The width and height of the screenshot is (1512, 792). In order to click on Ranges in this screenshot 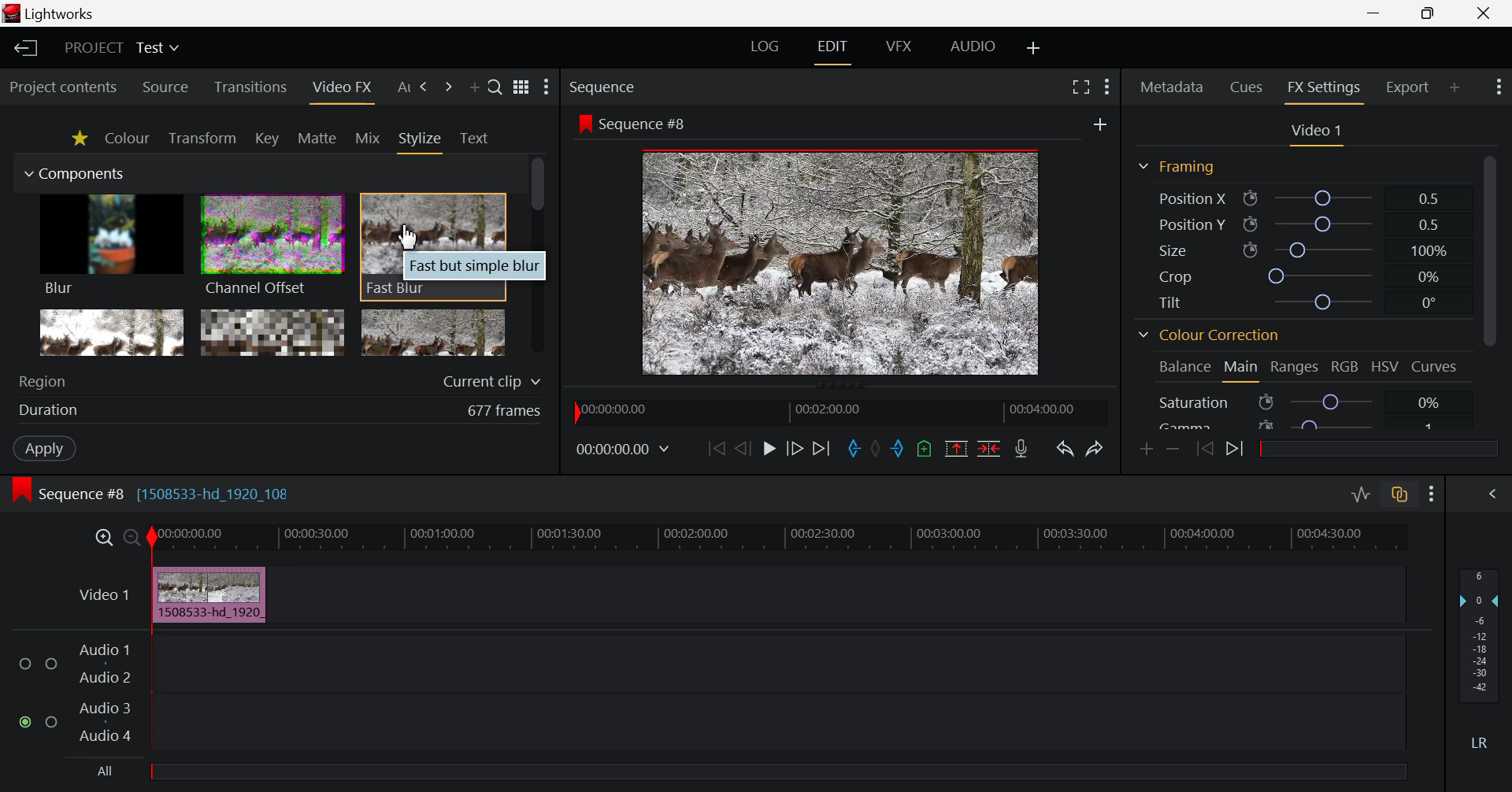, I will do `click(1294, 367)`.